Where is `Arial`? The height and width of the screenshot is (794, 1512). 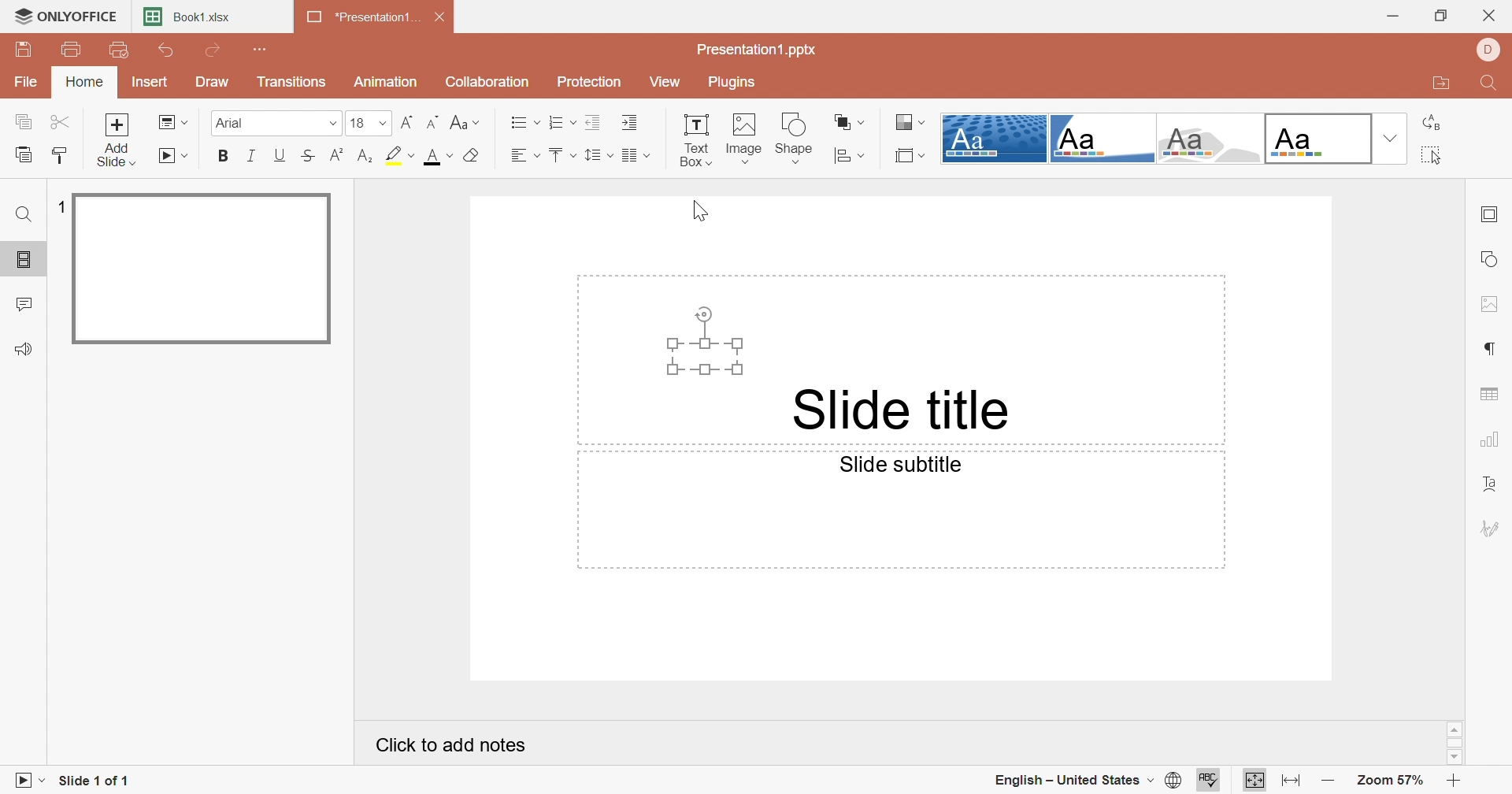 Arial is located at coordinates (272, 122).